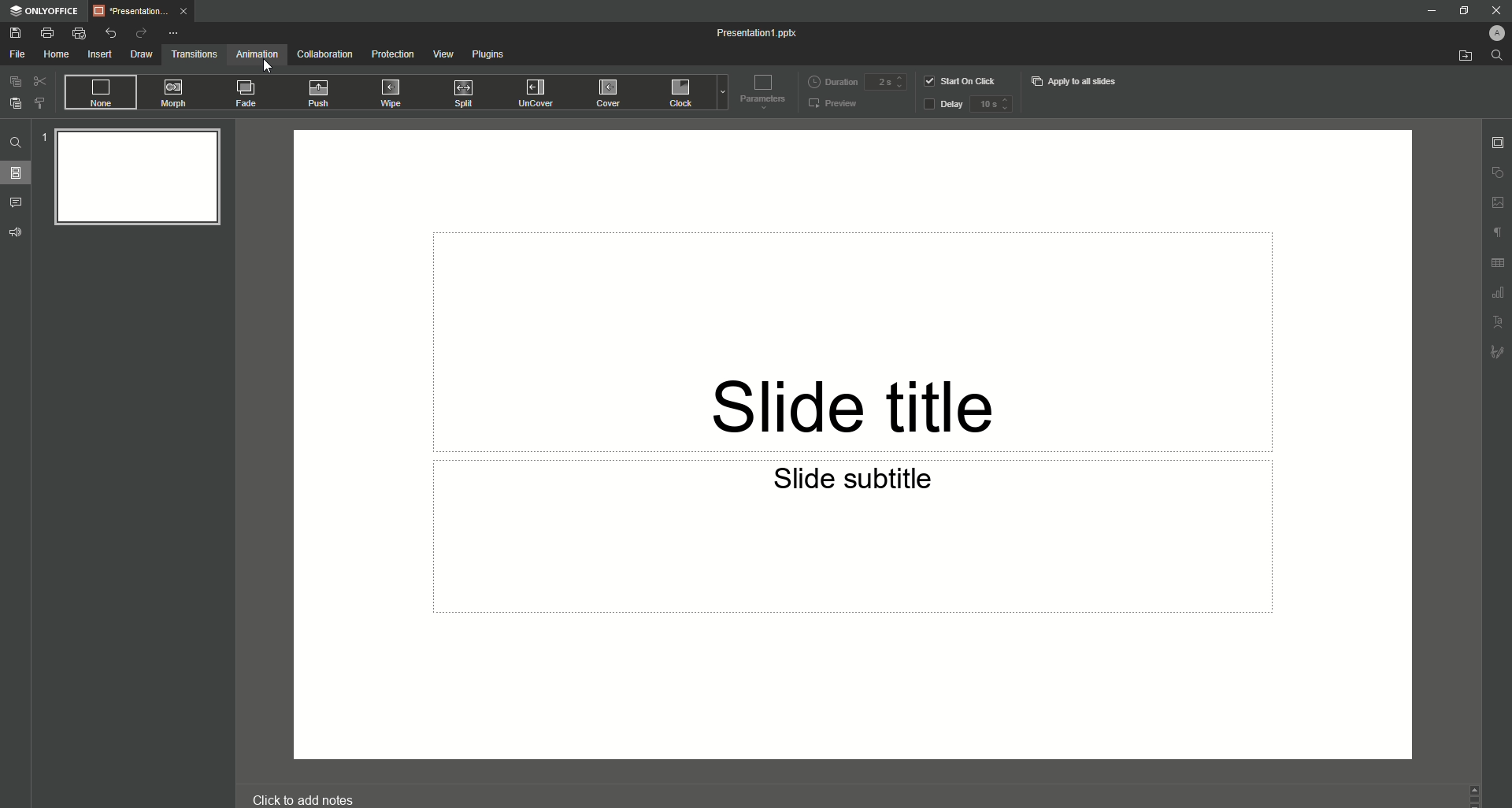 This screenshot has width=1512, height=808. Describe the element at coordinates (247, 94) in the screenshot. I see `Fade` at that location.